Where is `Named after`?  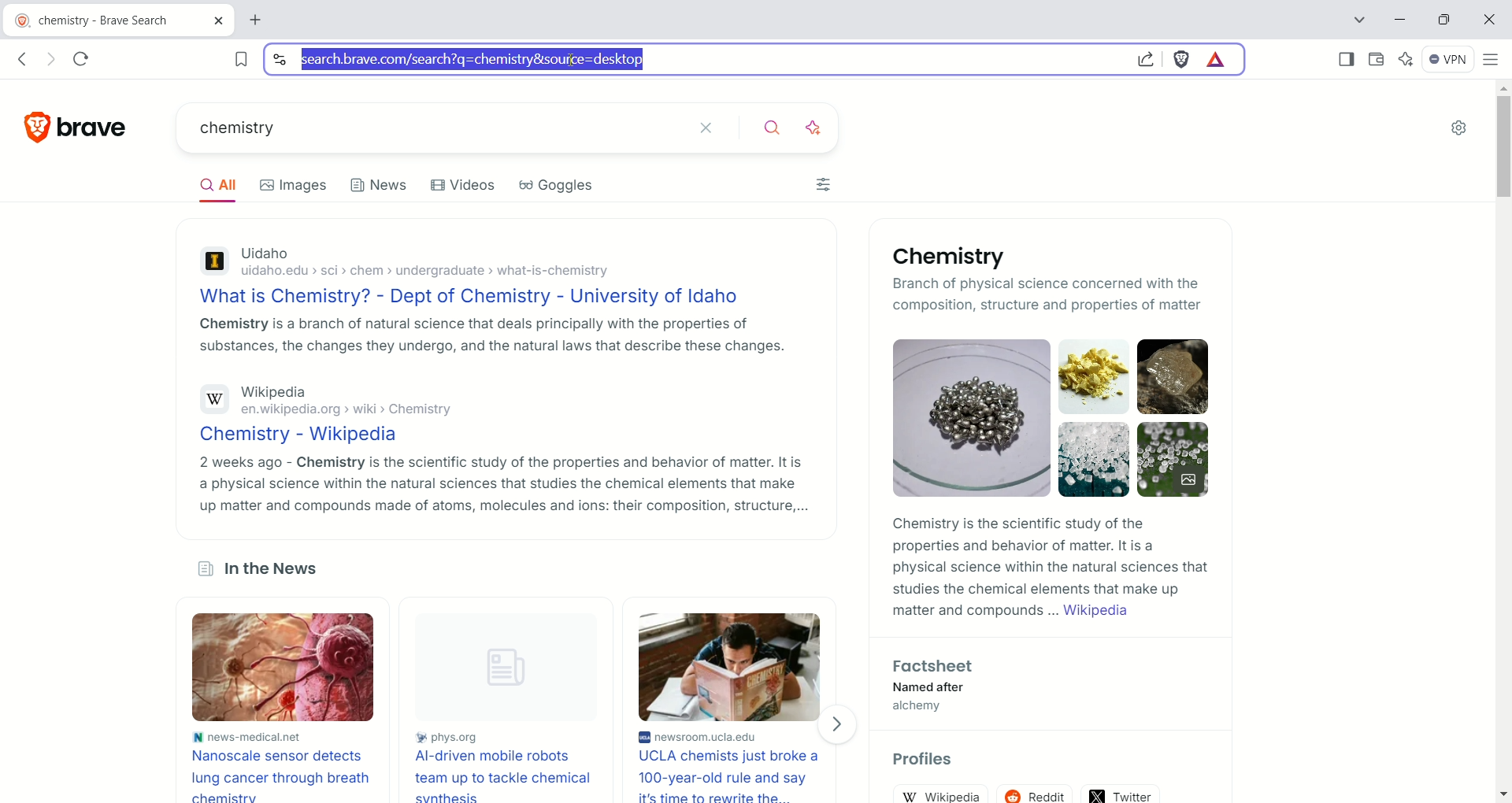
Named after is located at coordinates (942, 687).